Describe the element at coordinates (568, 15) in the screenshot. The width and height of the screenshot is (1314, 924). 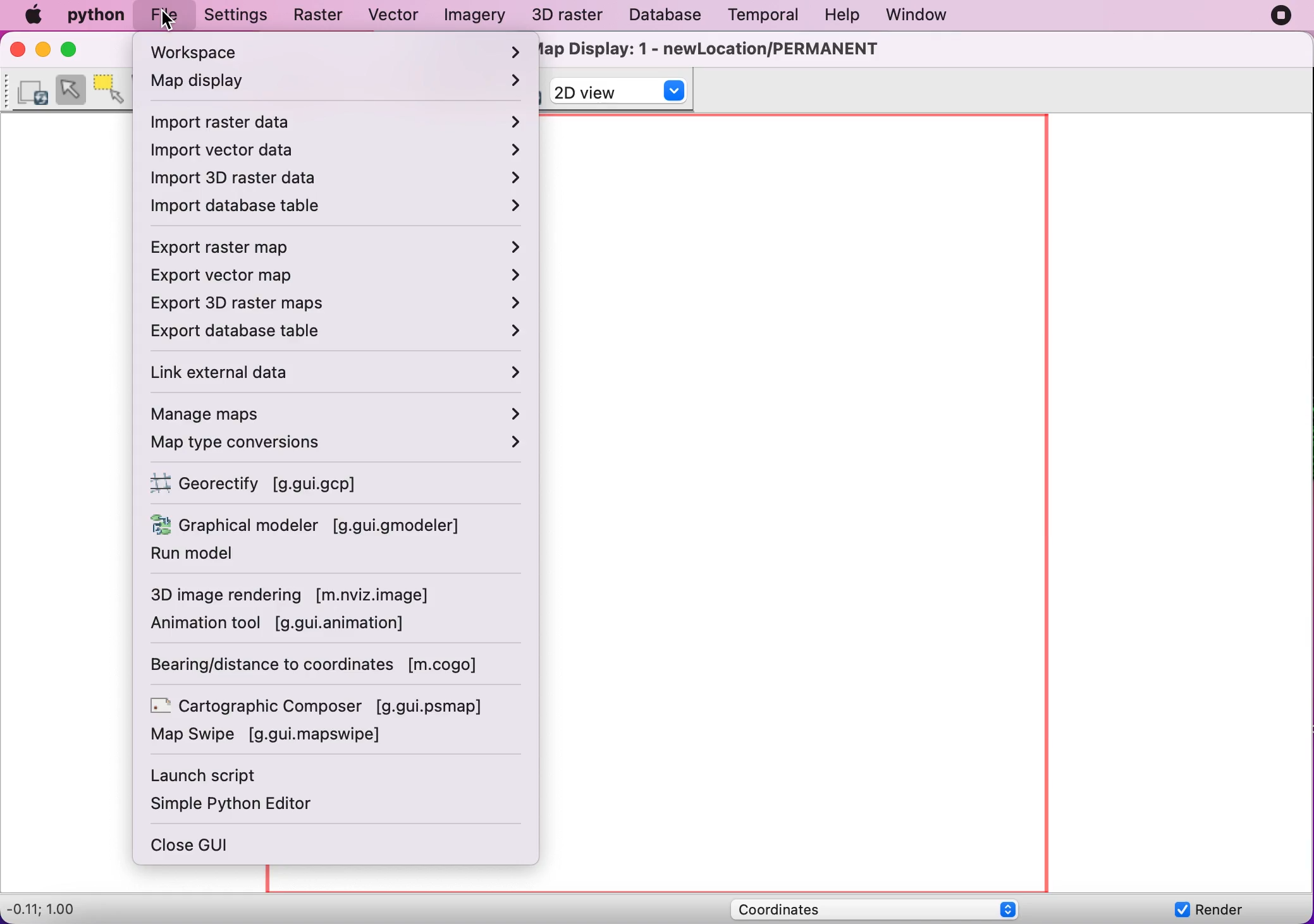
I see `3d raster` at that location.